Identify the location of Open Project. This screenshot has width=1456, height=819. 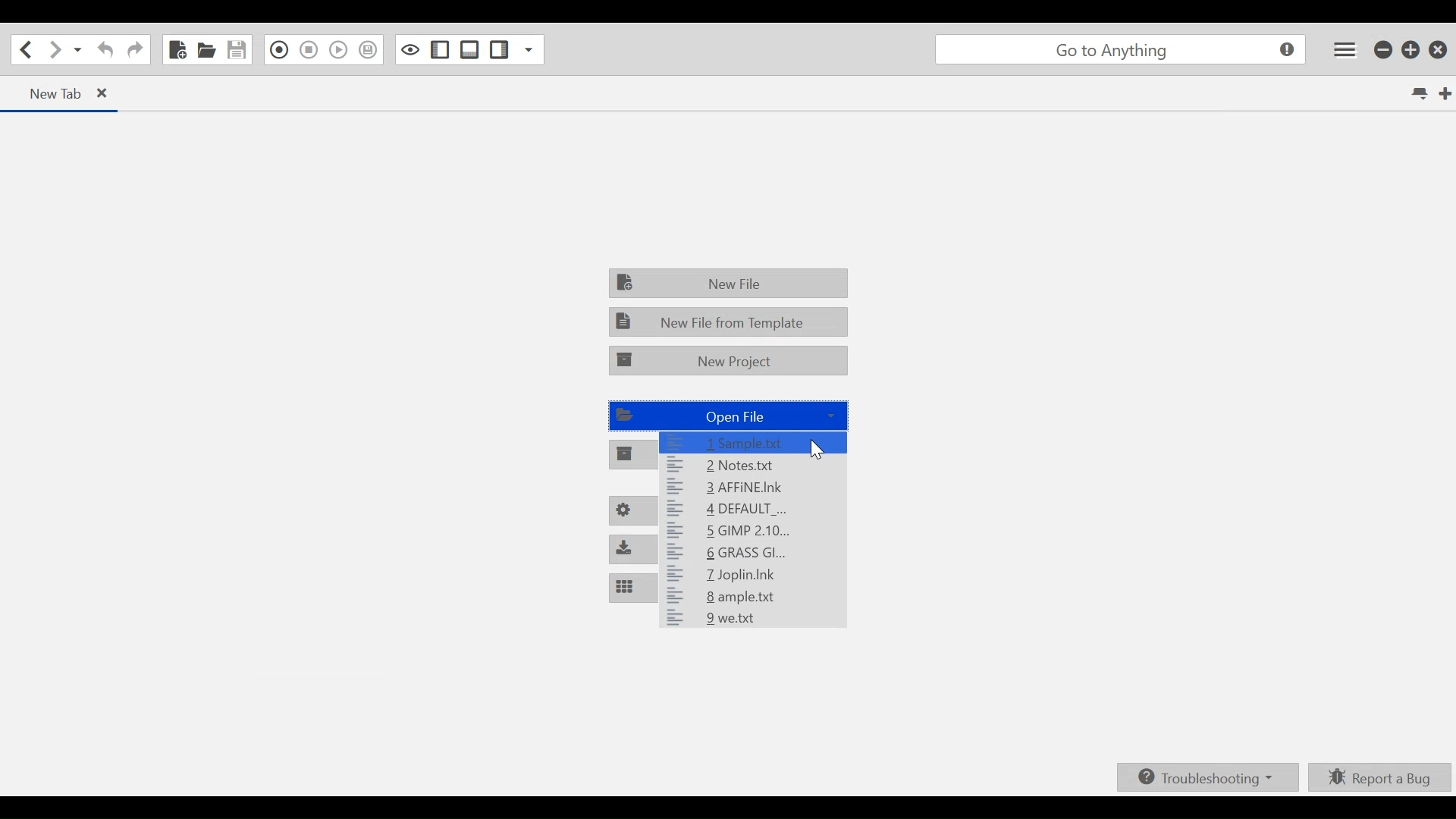
(632, 455).